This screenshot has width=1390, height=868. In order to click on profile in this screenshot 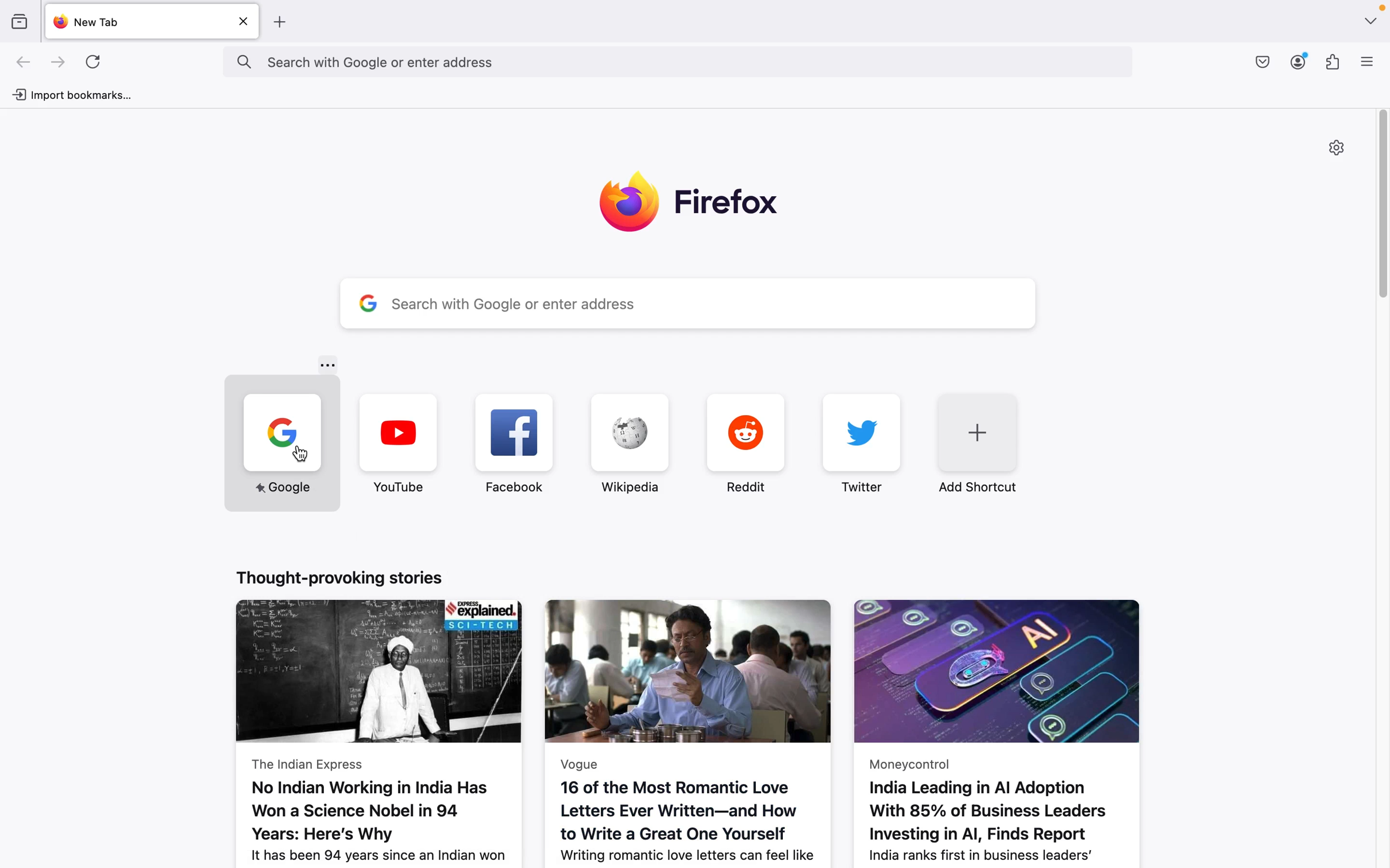, I will do `click(1299, 62)`.